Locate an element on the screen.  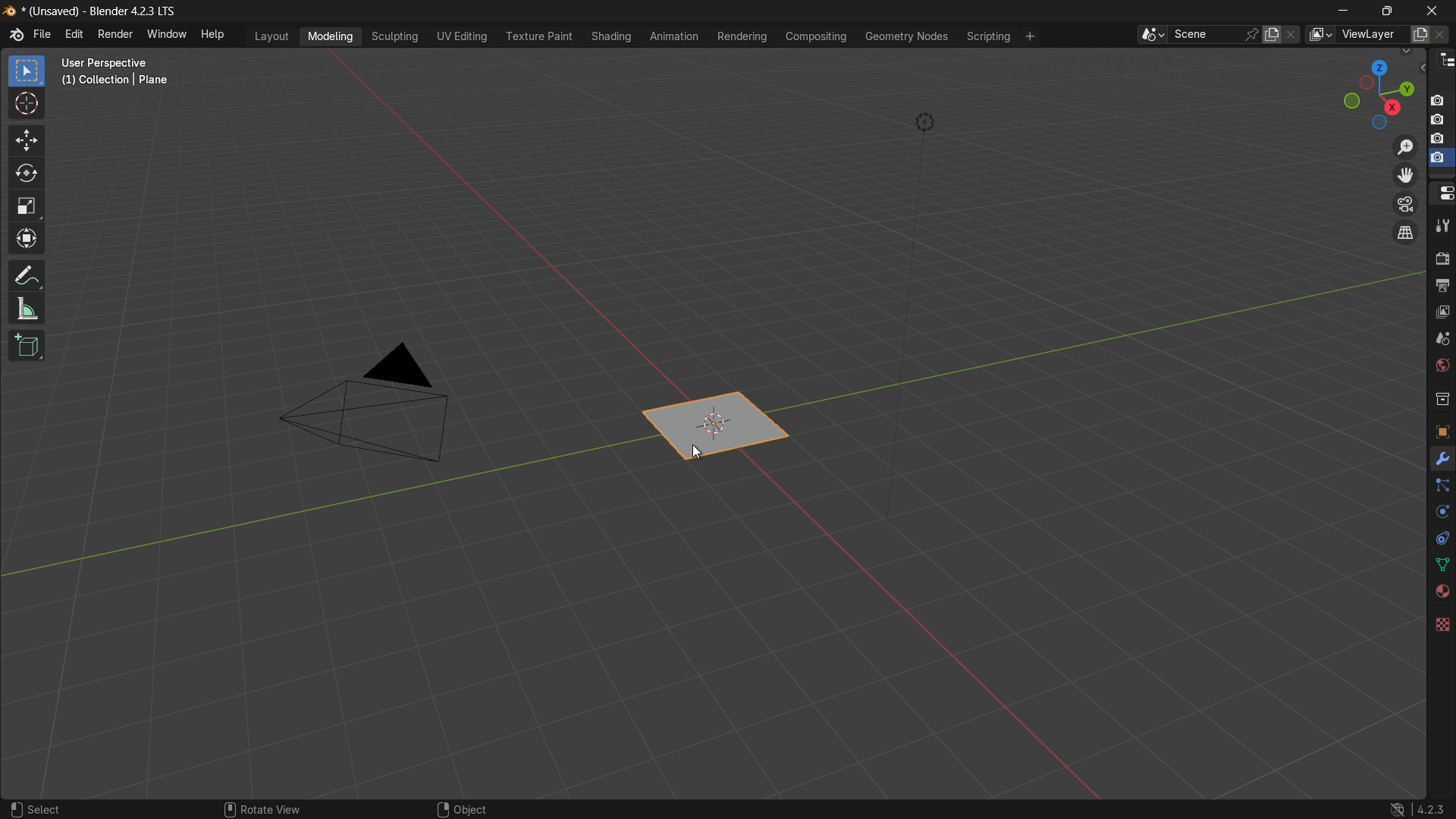
tools is located at coordinates (1442, 227).